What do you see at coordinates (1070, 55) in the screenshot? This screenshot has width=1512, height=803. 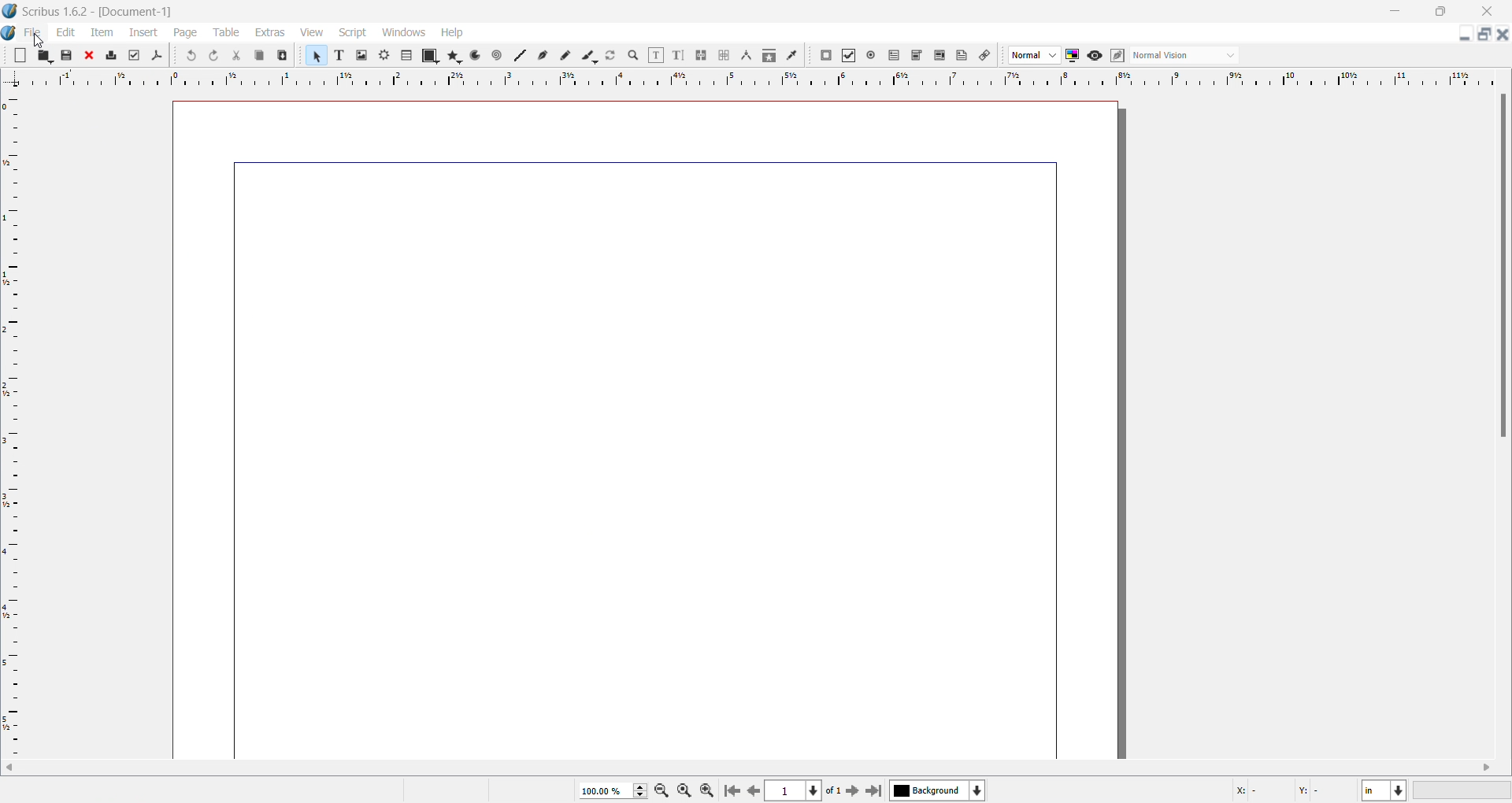 I see `icon` at bounding box center [1070, 55].